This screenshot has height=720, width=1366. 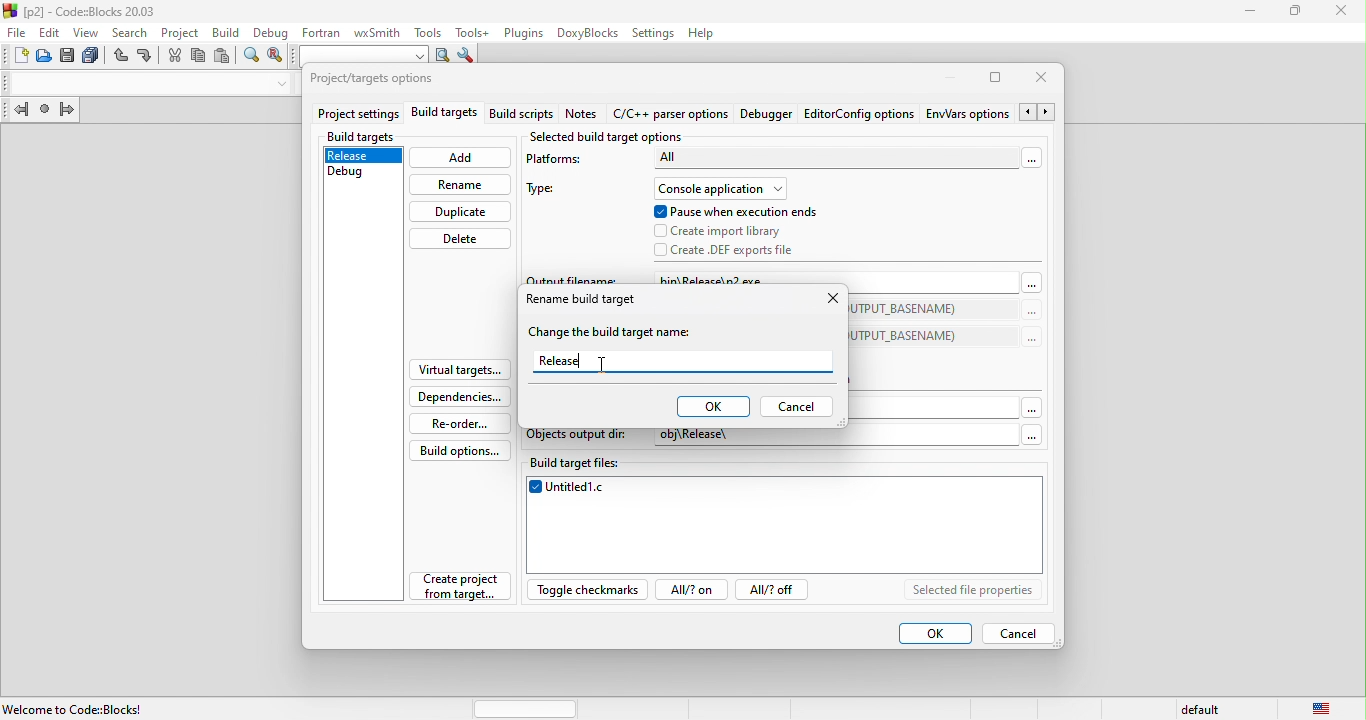 What do you see at coordinates (278, 84) in the screenshot?
I see `drop down` at bounding box center [278, 84].